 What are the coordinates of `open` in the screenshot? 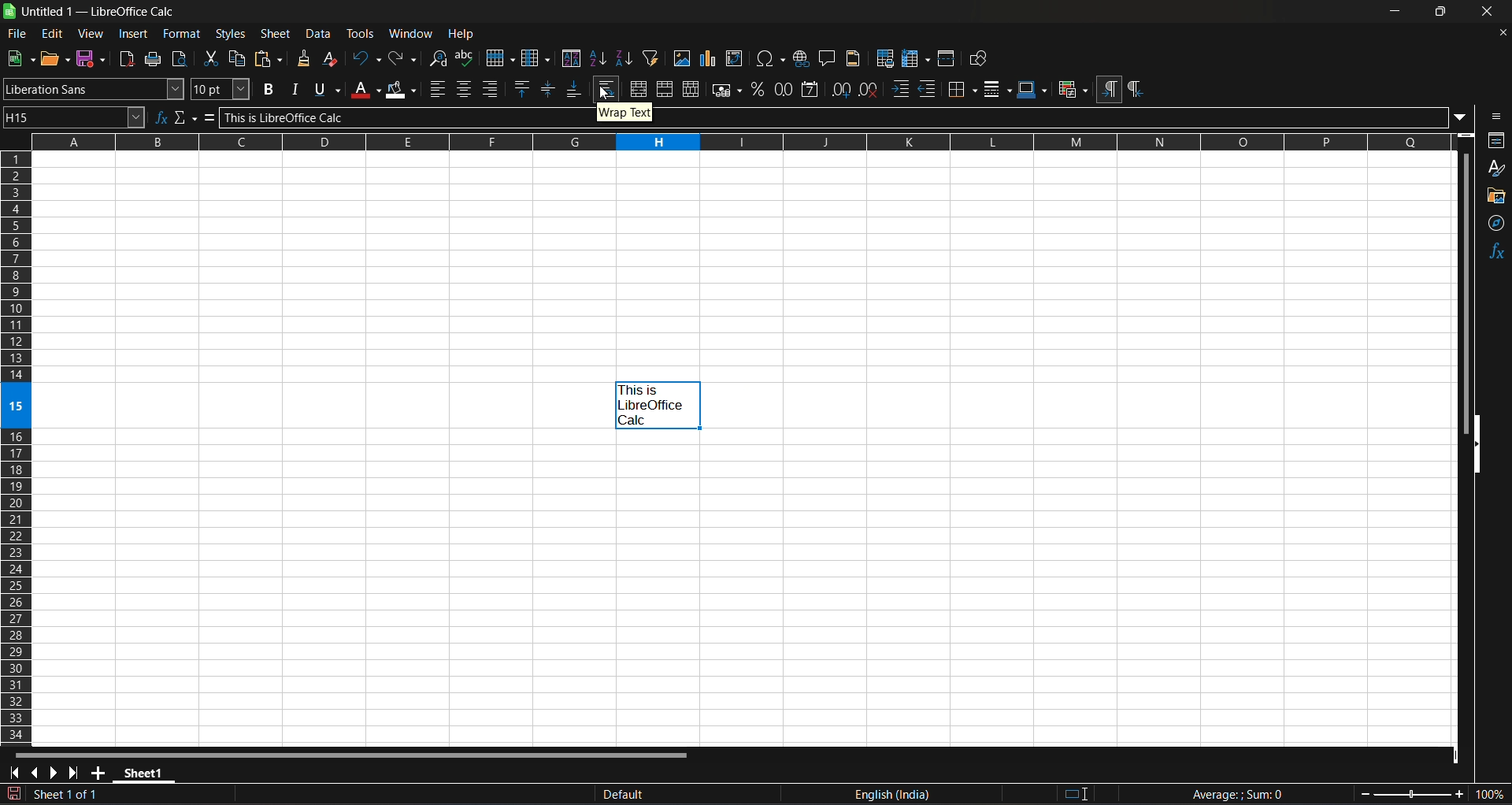 It's located at (54, 58).